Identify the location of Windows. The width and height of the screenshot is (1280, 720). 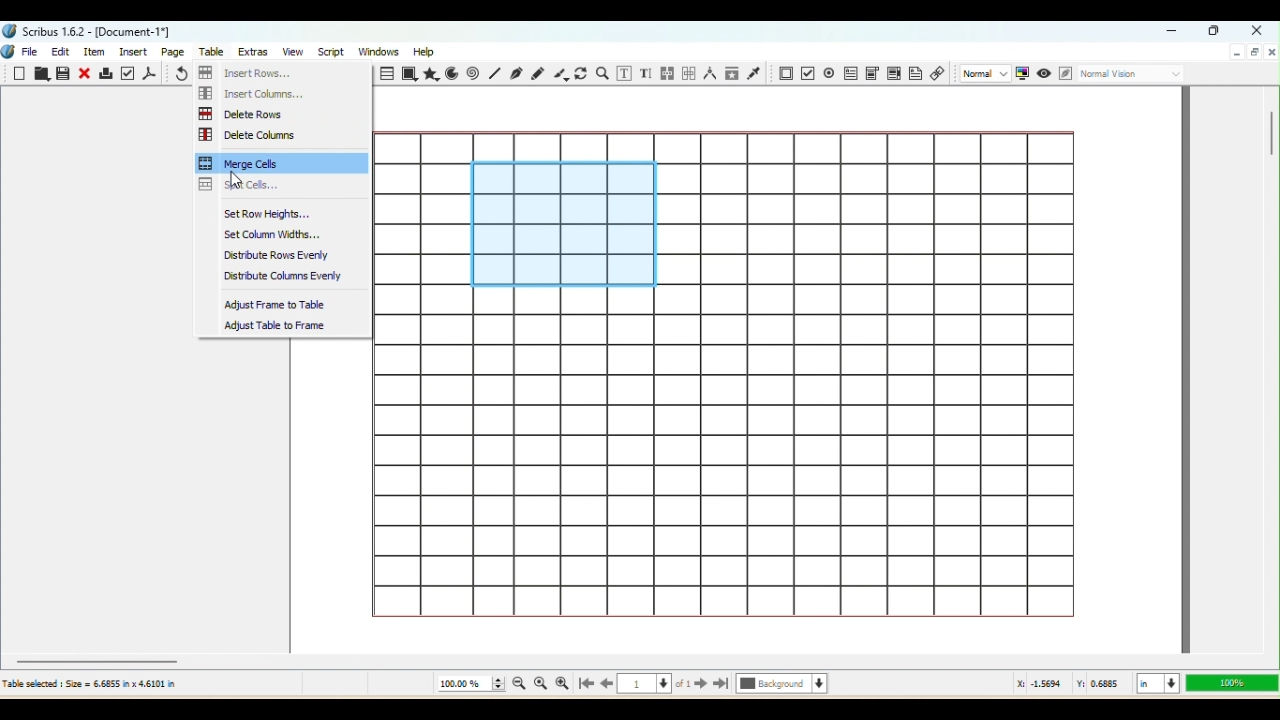
(380, 50).